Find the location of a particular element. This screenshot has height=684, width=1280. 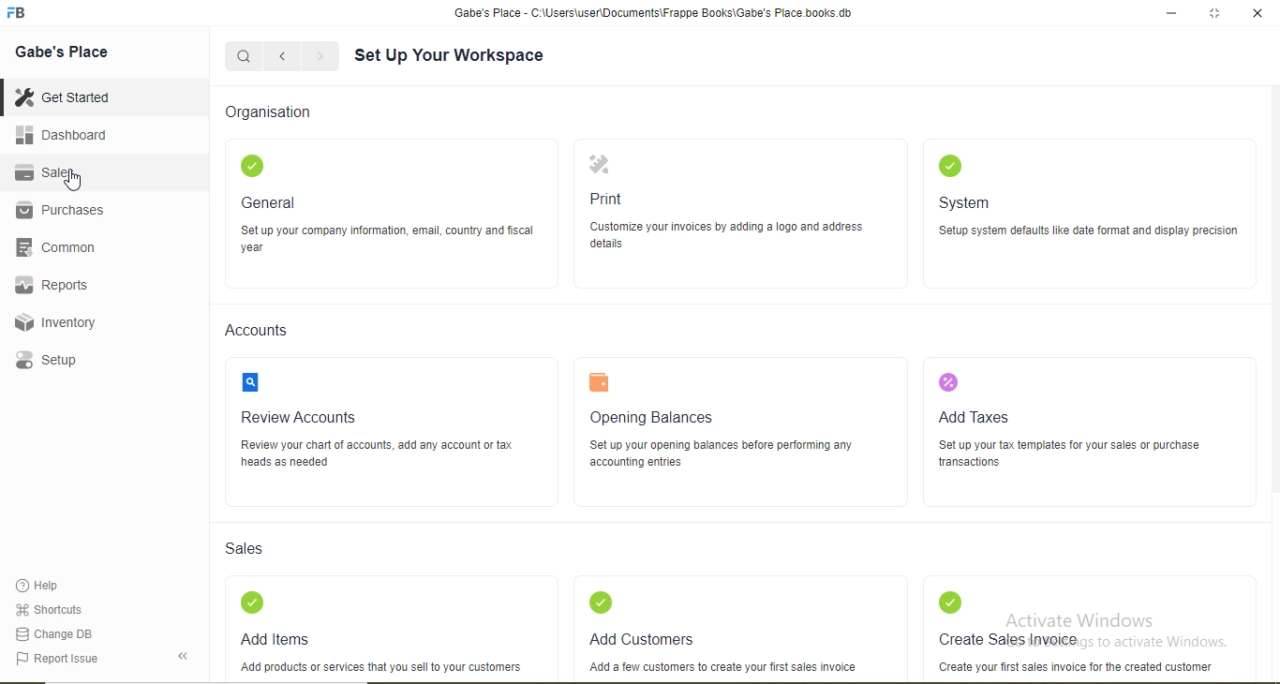

Review Accounts is located at coordinates (304, 416).